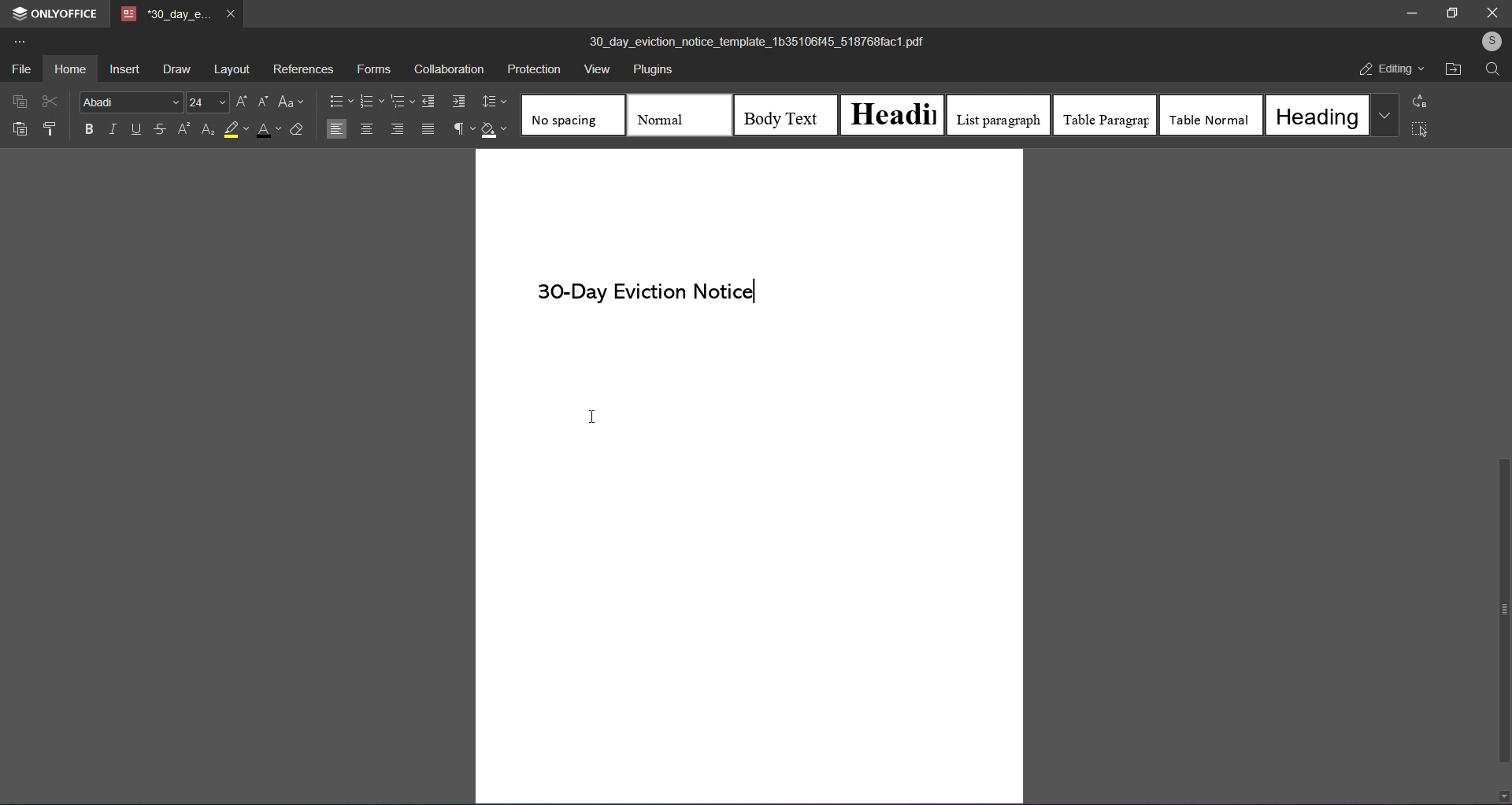  I want to click on increase font size, so click(243, 102).